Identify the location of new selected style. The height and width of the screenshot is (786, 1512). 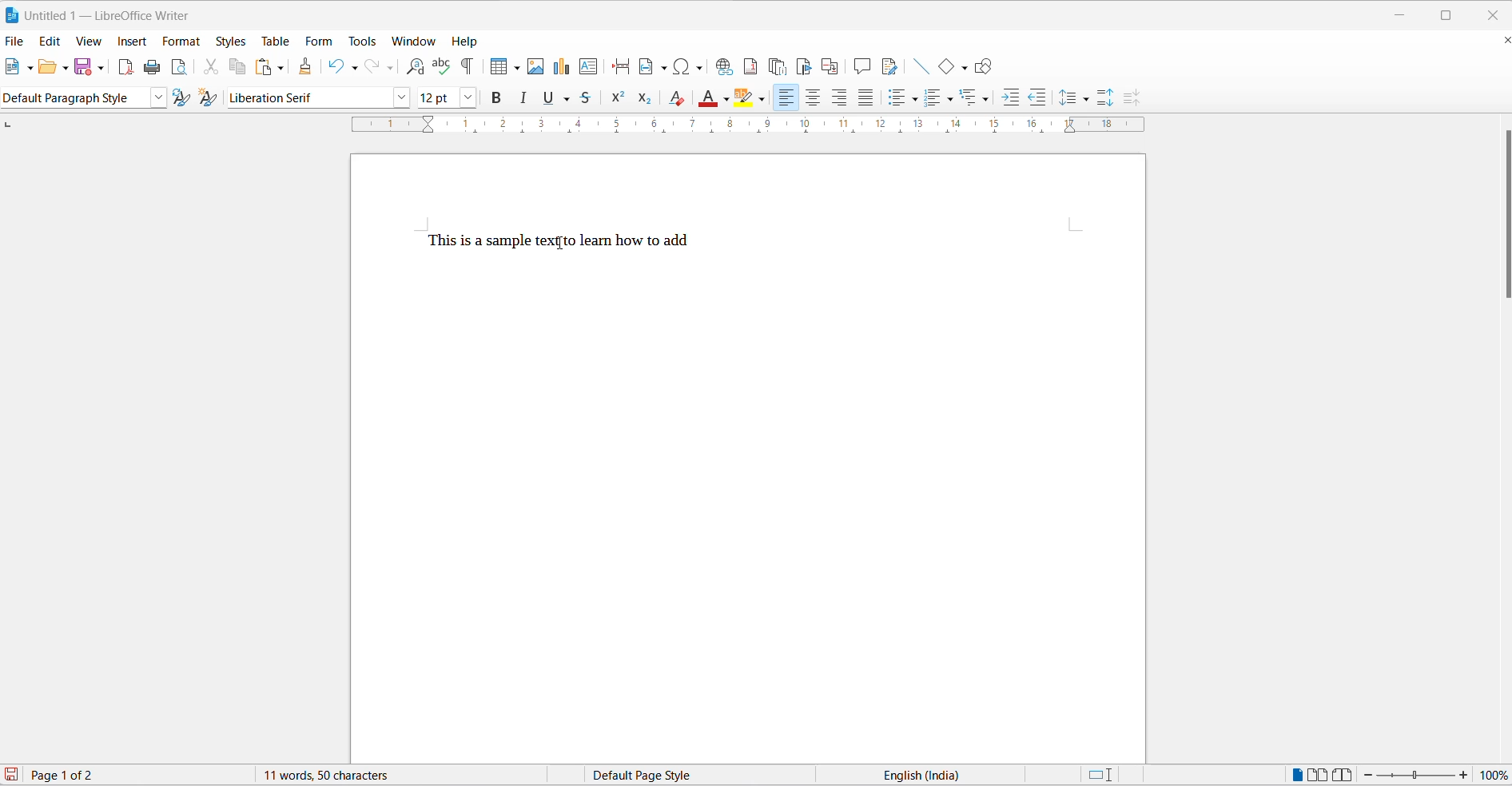
(209, 98).